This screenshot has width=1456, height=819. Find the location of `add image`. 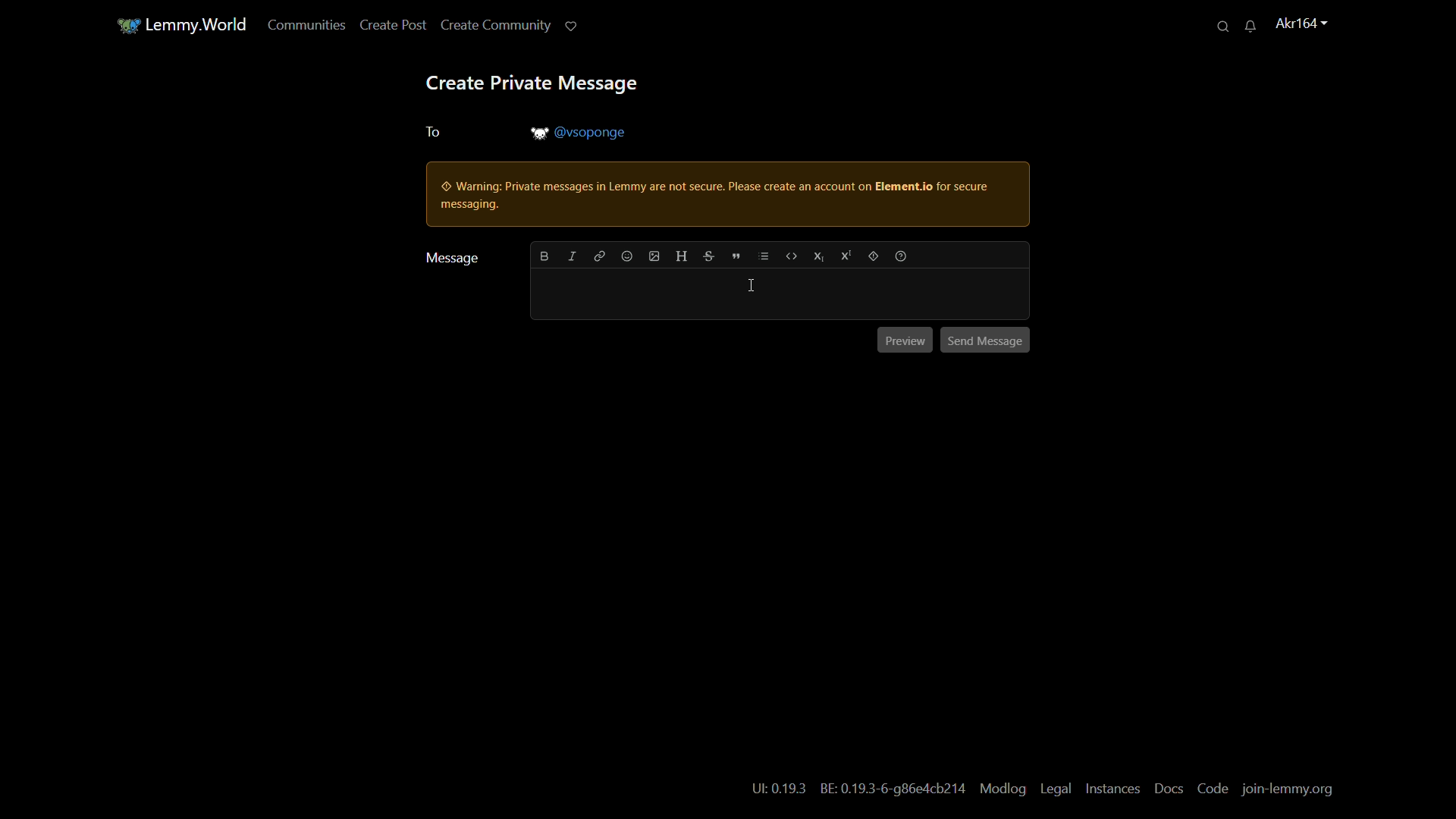

add image is located at coordinates (654, 256).